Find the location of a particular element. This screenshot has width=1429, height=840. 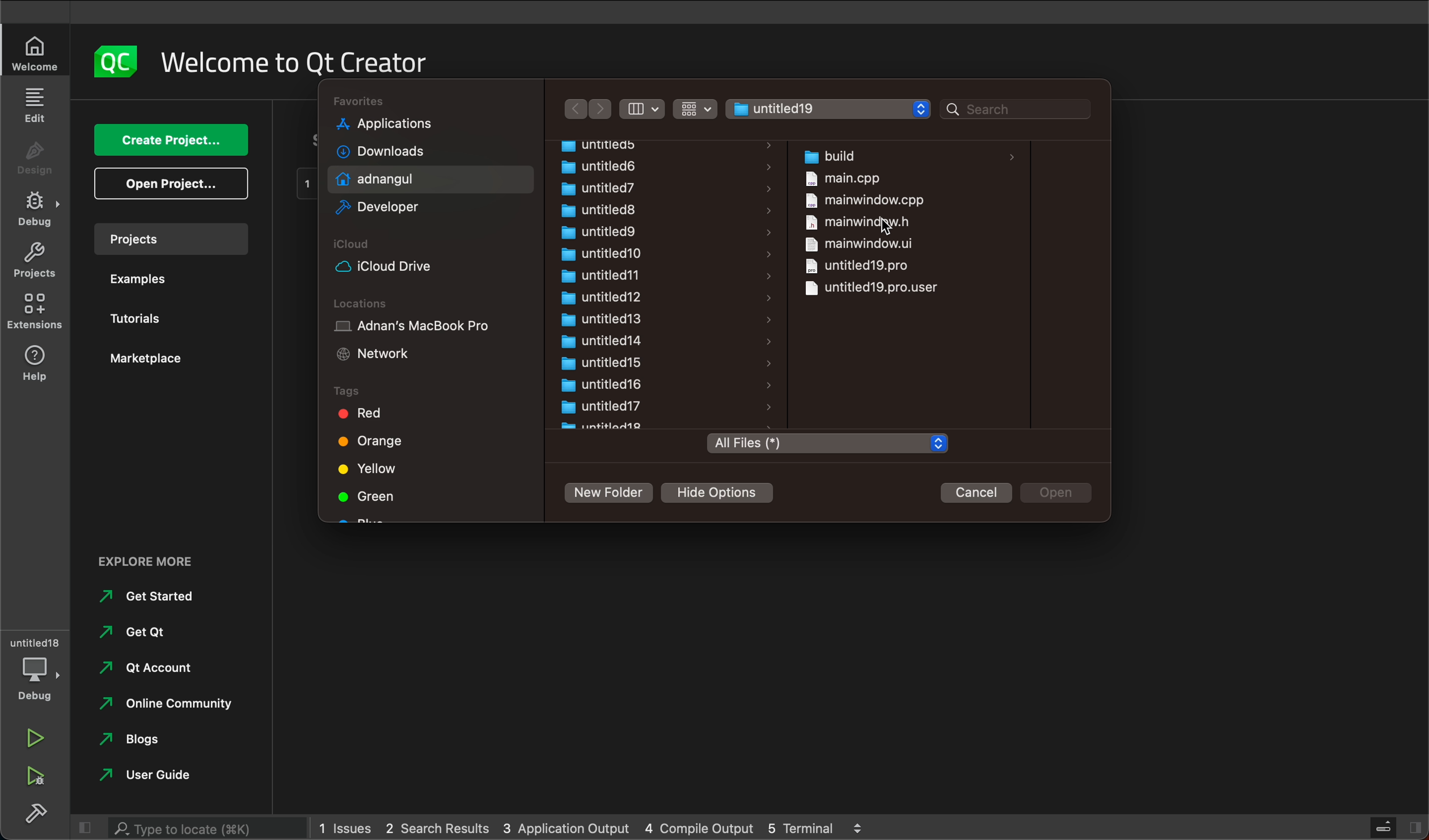

mainwindow is located at coordinates (853, 243).